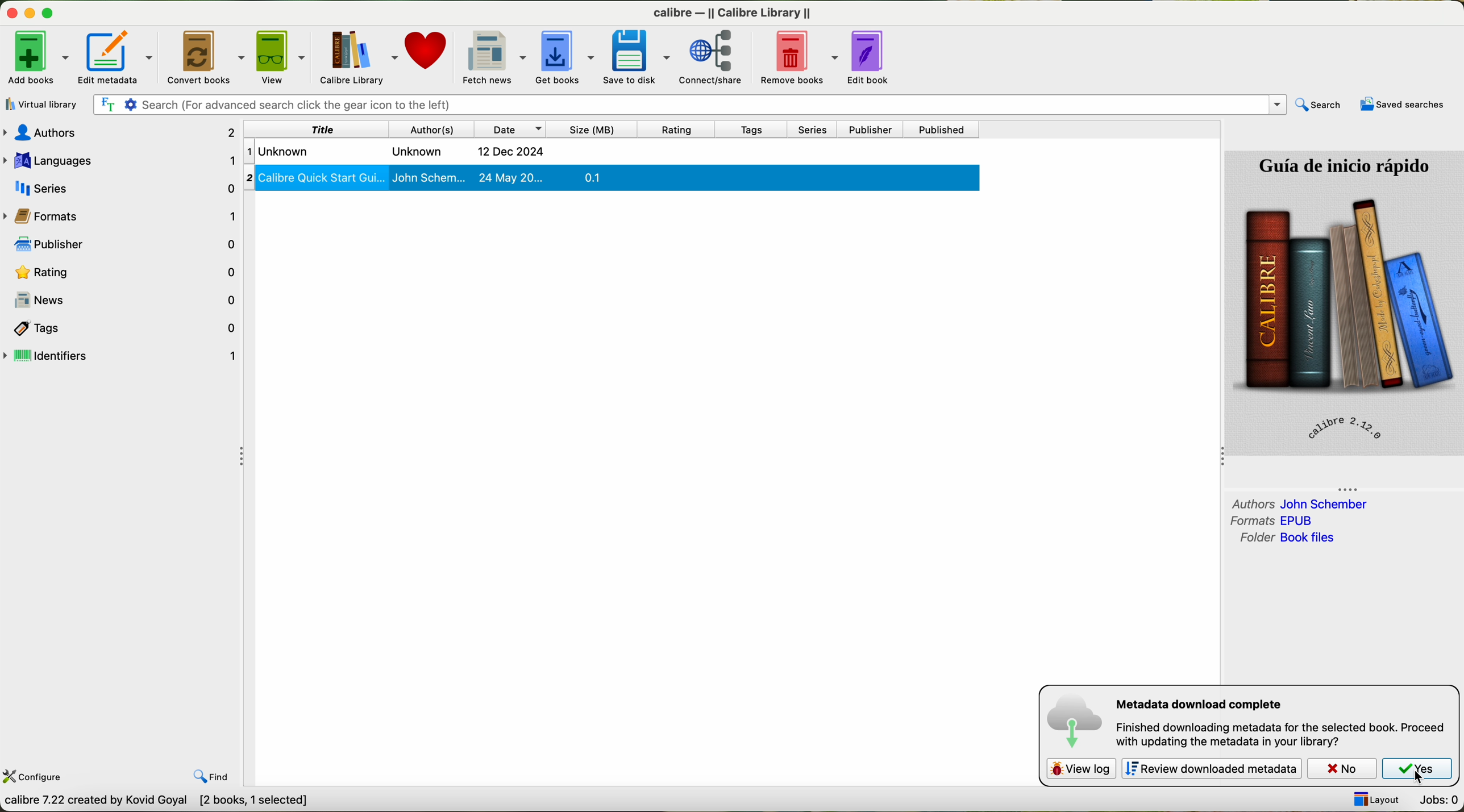 The width and height of the screenshot is (1464, 812). I want to click on cursor, so click(1413, 776).